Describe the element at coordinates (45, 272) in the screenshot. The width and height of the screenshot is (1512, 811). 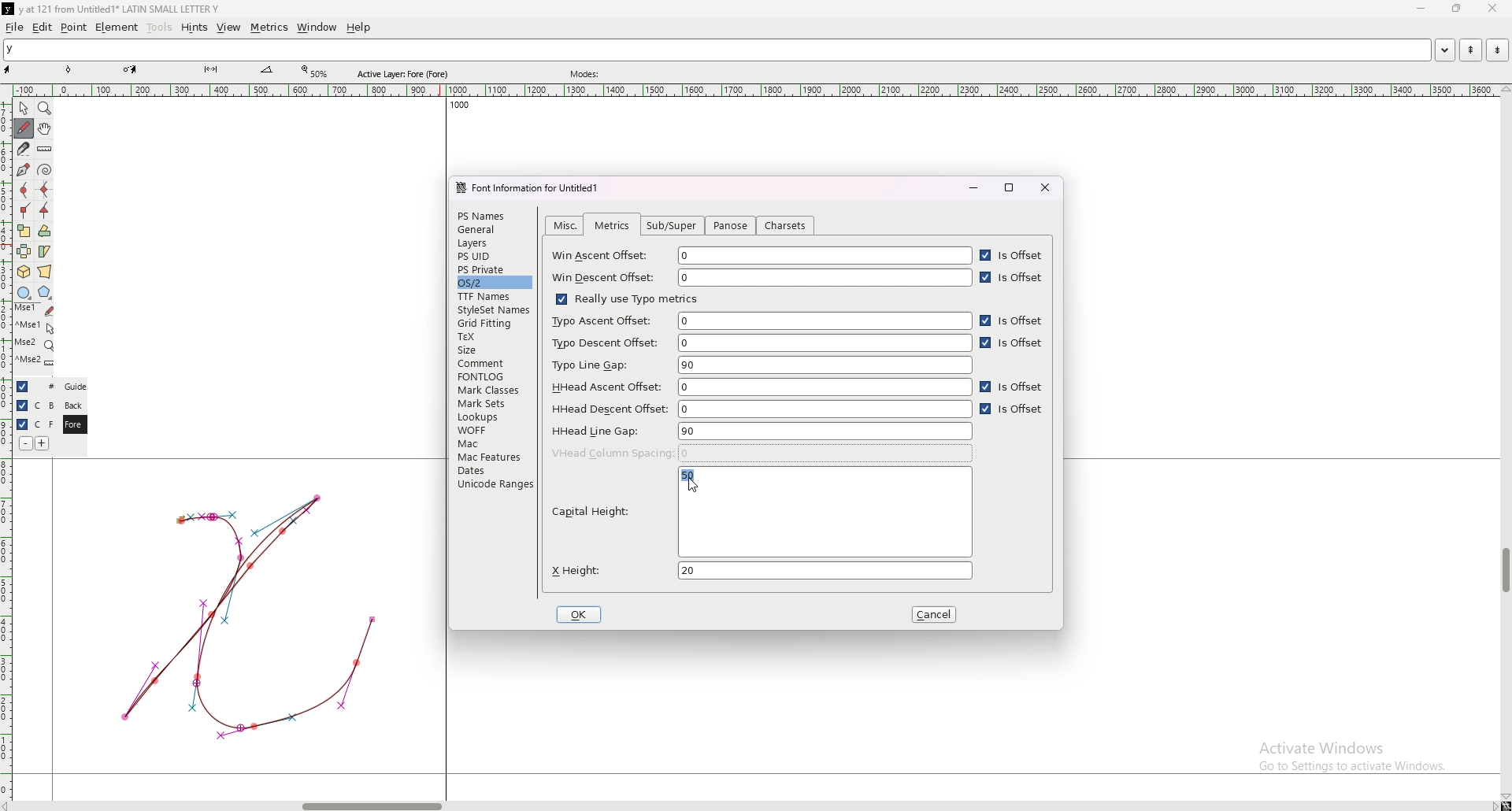
I see `perform a perspective transformation` at that location.